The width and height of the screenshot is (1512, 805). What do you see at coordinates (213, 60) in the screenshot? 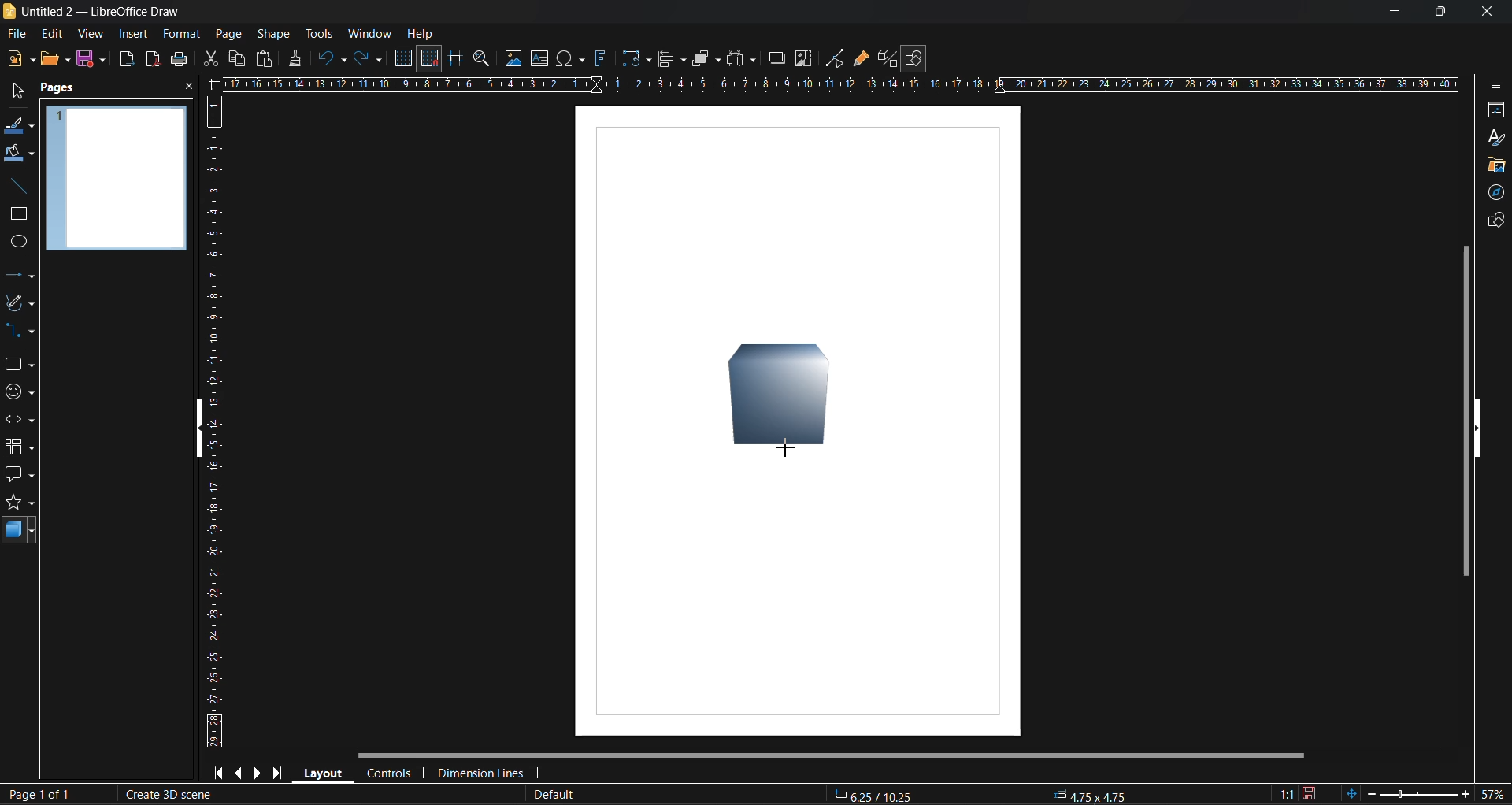
I see `cut` at bounding box center [213, 60].